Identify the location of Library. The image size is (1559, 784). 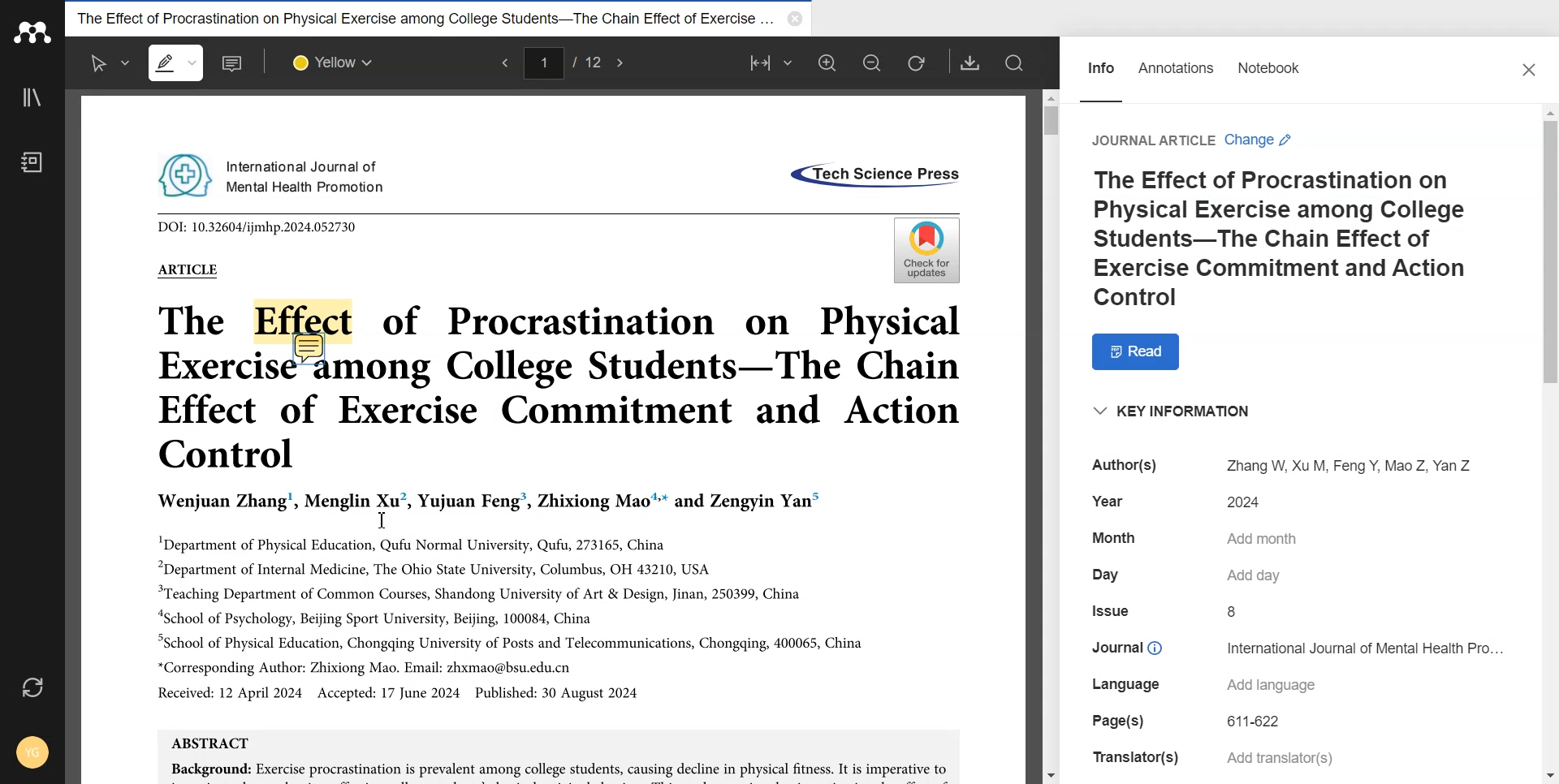
(32, 97).